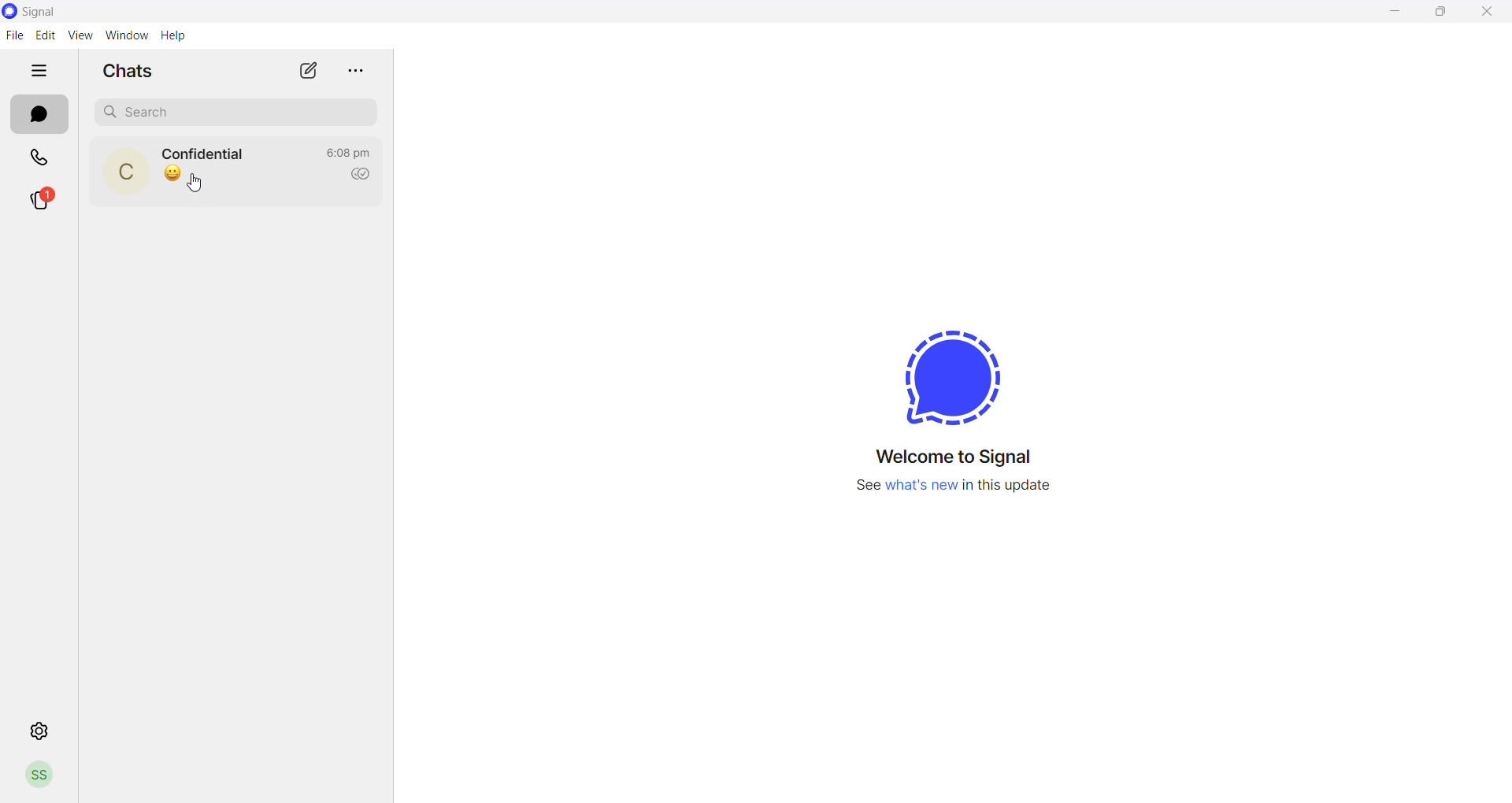  What do you see at coordinates (81, 35) in the screenshot?
I see `view` at bounding box center [81, 35].